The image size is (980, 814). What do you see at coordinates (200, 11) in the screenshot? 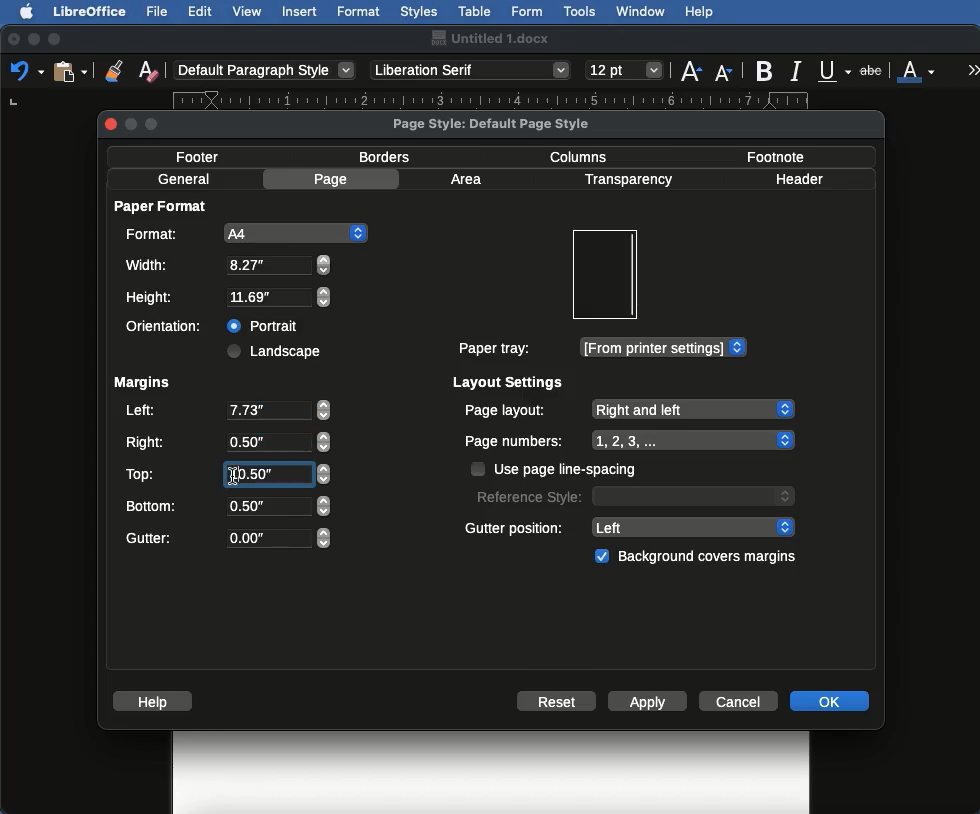
I see `Edit` at bounding box center [200, 11].